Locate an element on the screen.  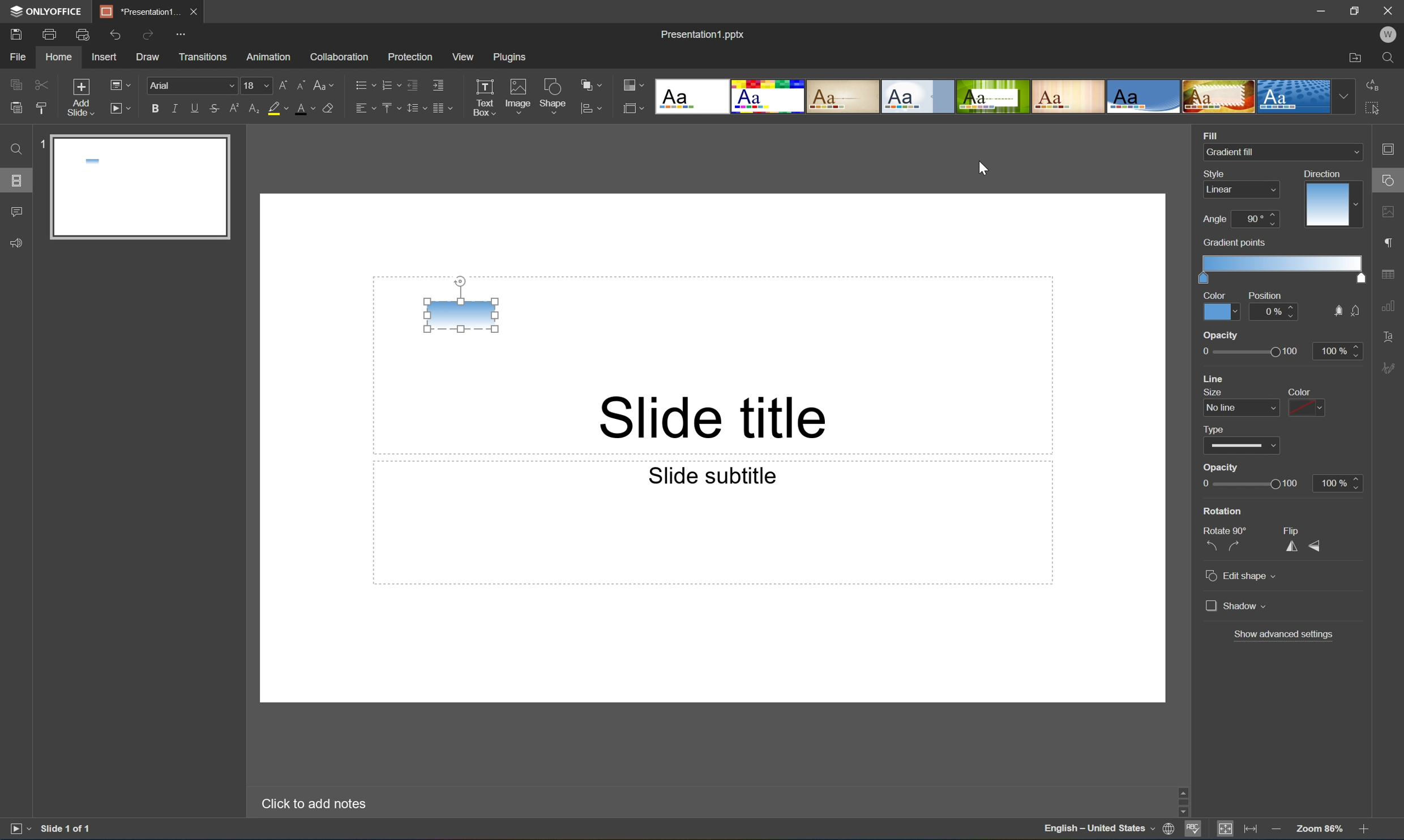
Gradient fill is located at coordinates (461, 316).